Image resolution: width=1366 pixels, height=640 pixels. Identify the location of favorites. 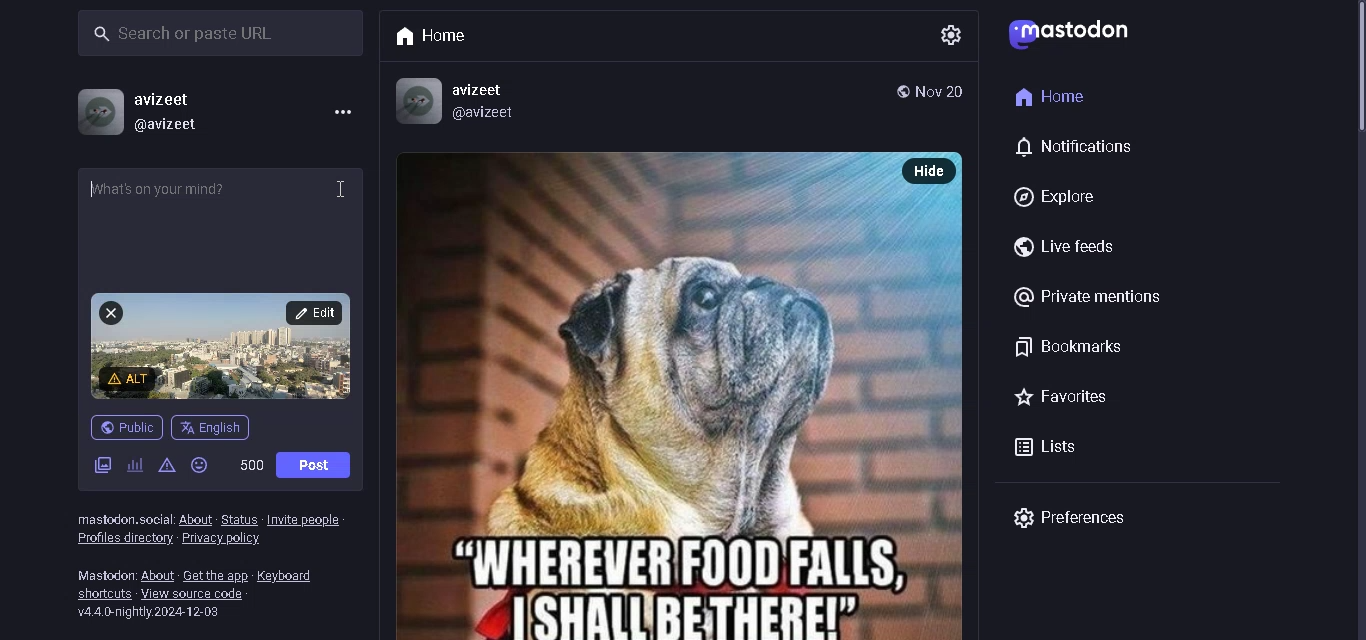
(1079, 398).